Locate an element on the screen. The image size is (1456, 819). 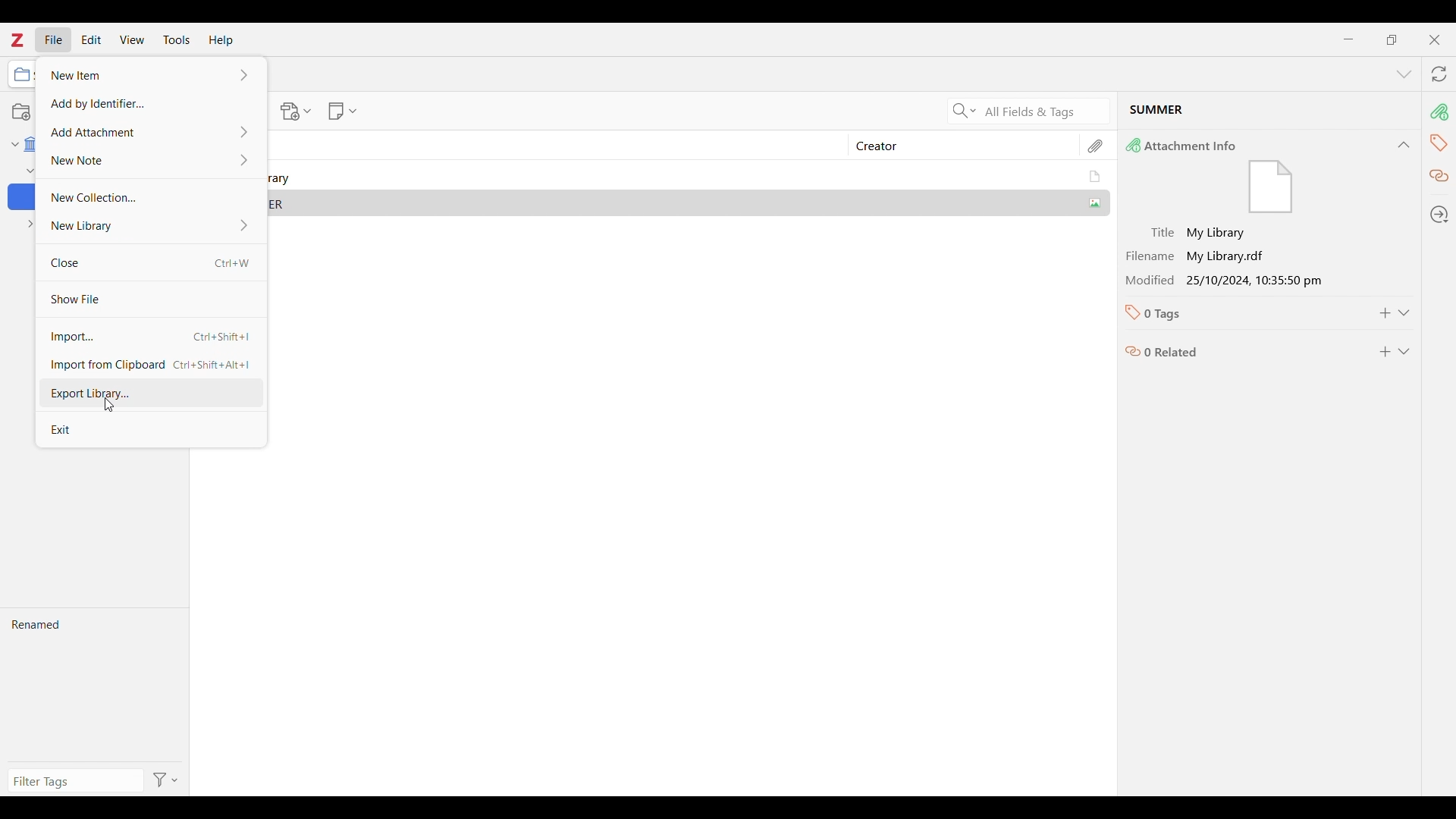
logo is located at coordinates (17, 39).